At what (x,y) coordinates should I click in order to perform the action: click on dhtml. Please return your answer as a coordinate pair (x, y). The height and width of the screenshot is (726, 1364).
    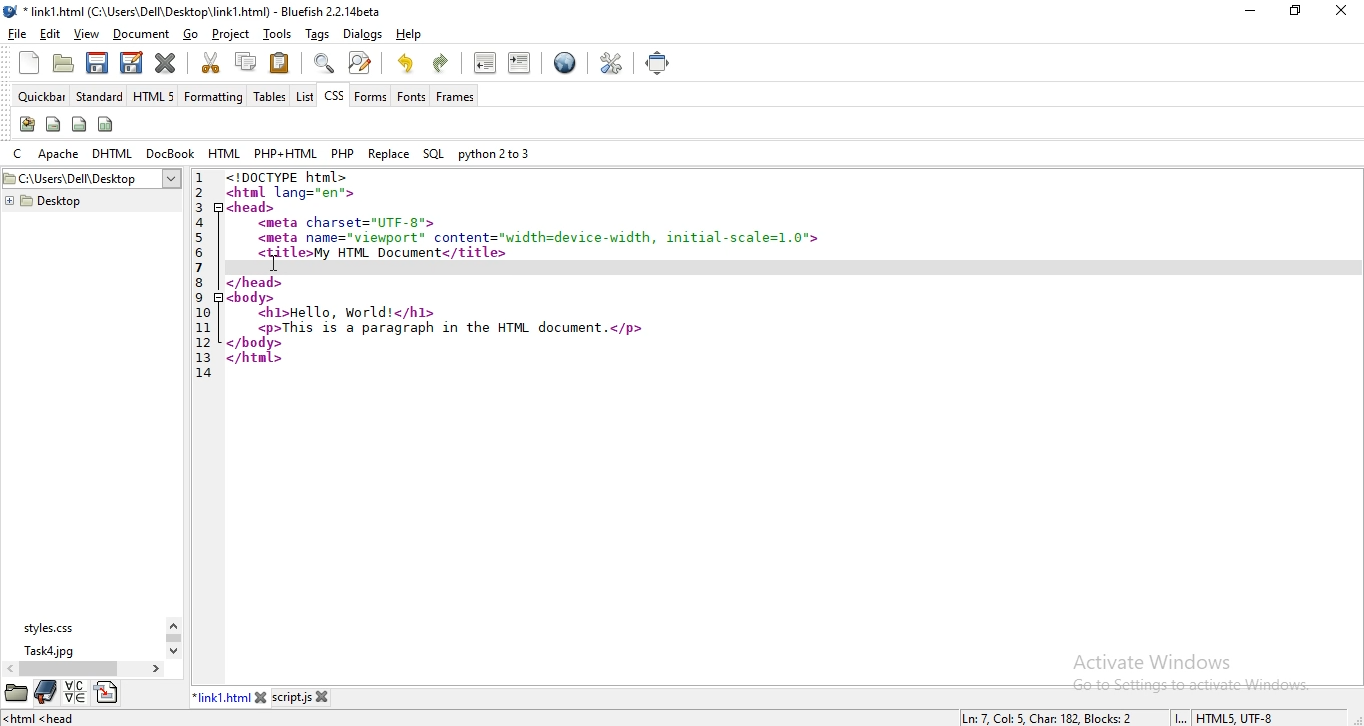
    Looking at the image, I should click on (112, 154).